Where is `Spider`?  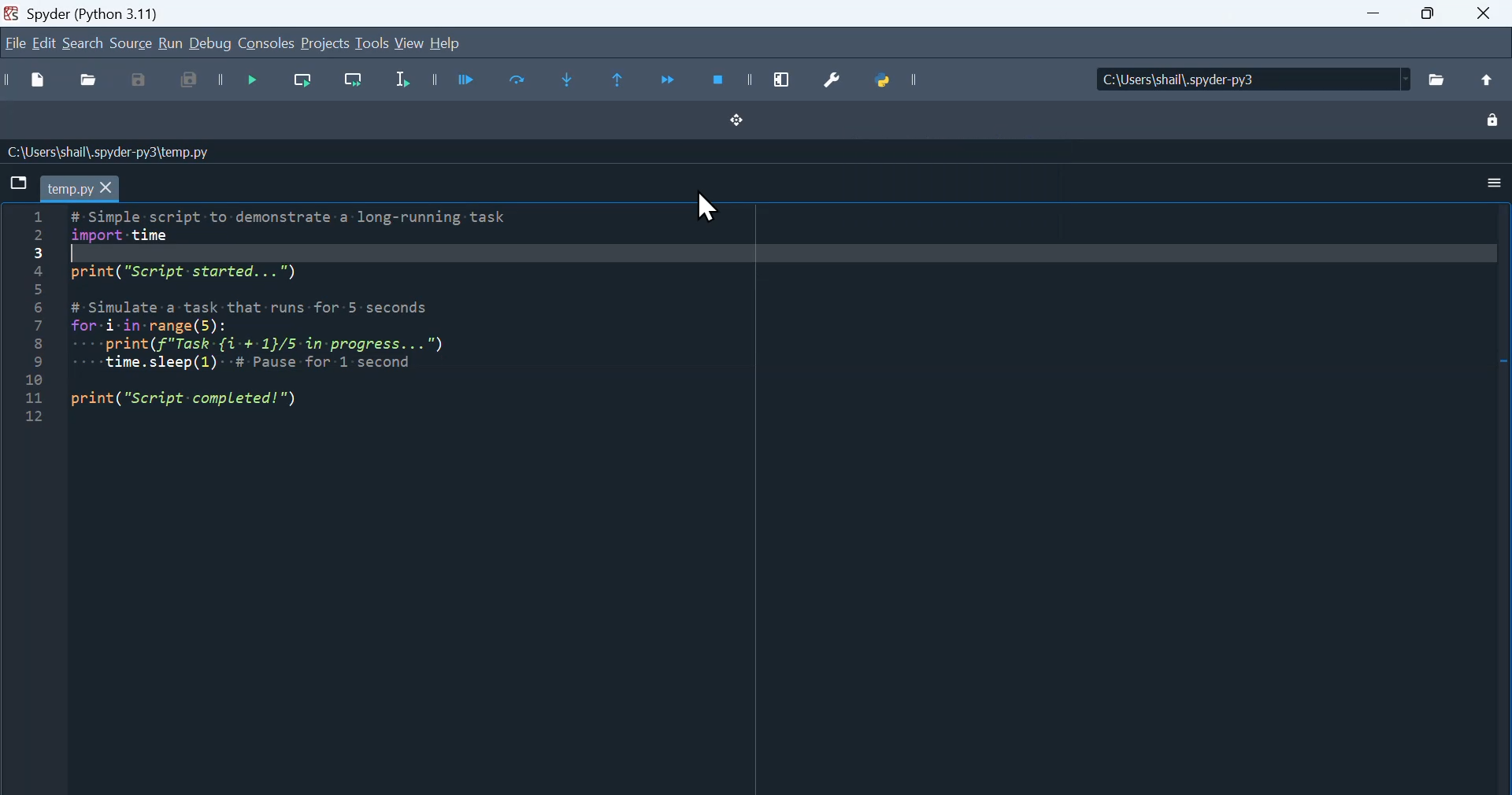
Spider is located at coordinates (99, 11).